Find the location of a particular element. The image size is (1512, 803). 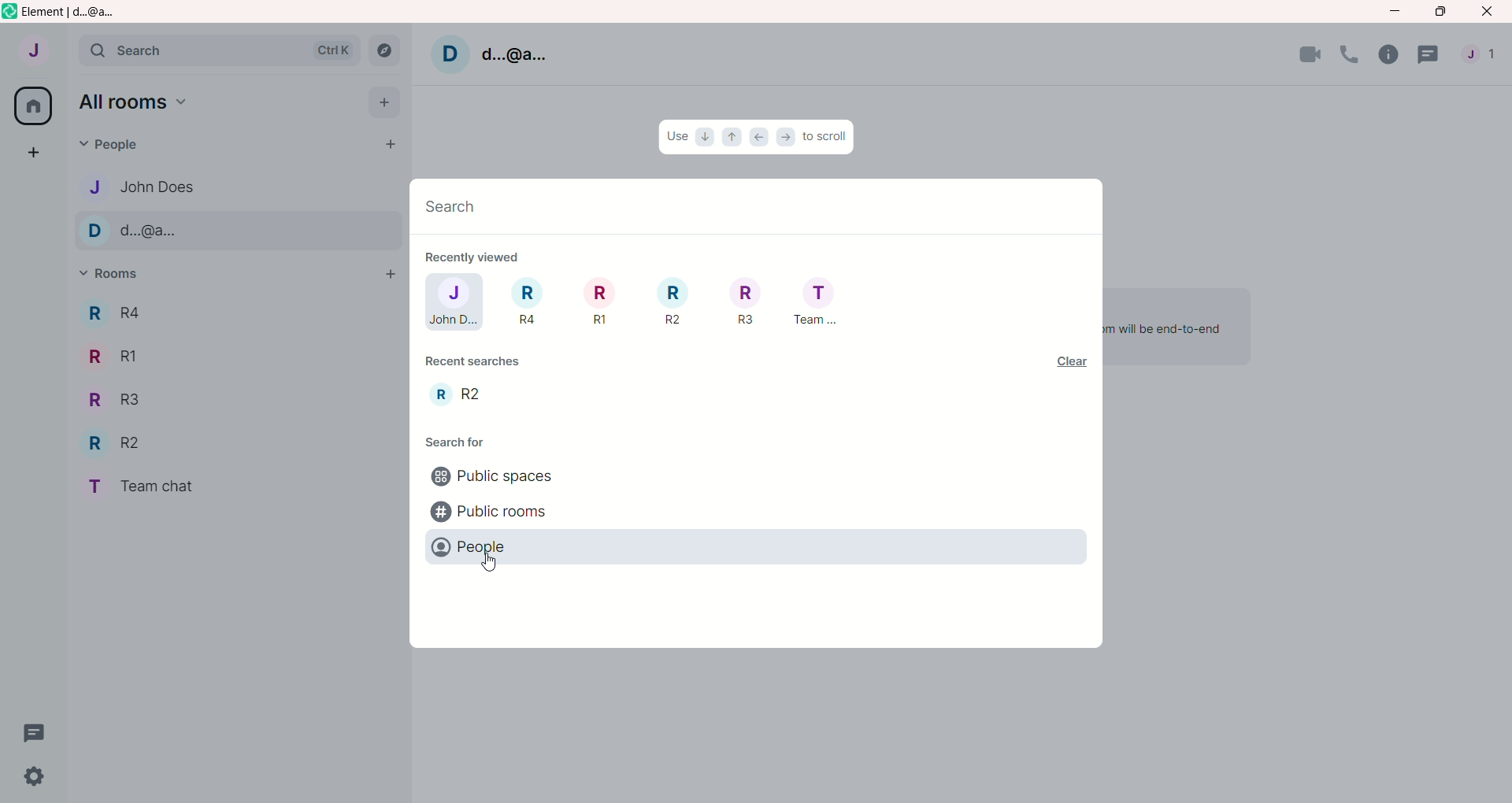

start chat is located at coordinates (384, 146).